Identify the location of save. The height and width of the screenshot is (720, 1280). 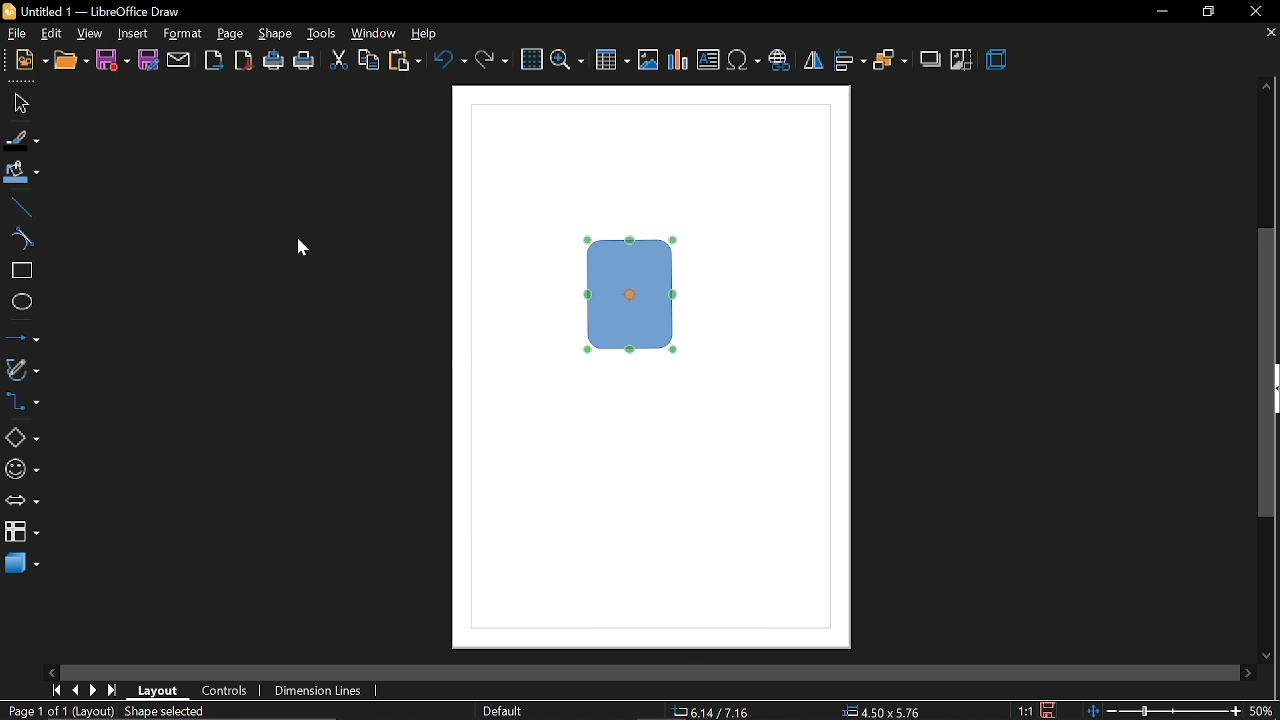
(1049, 710).